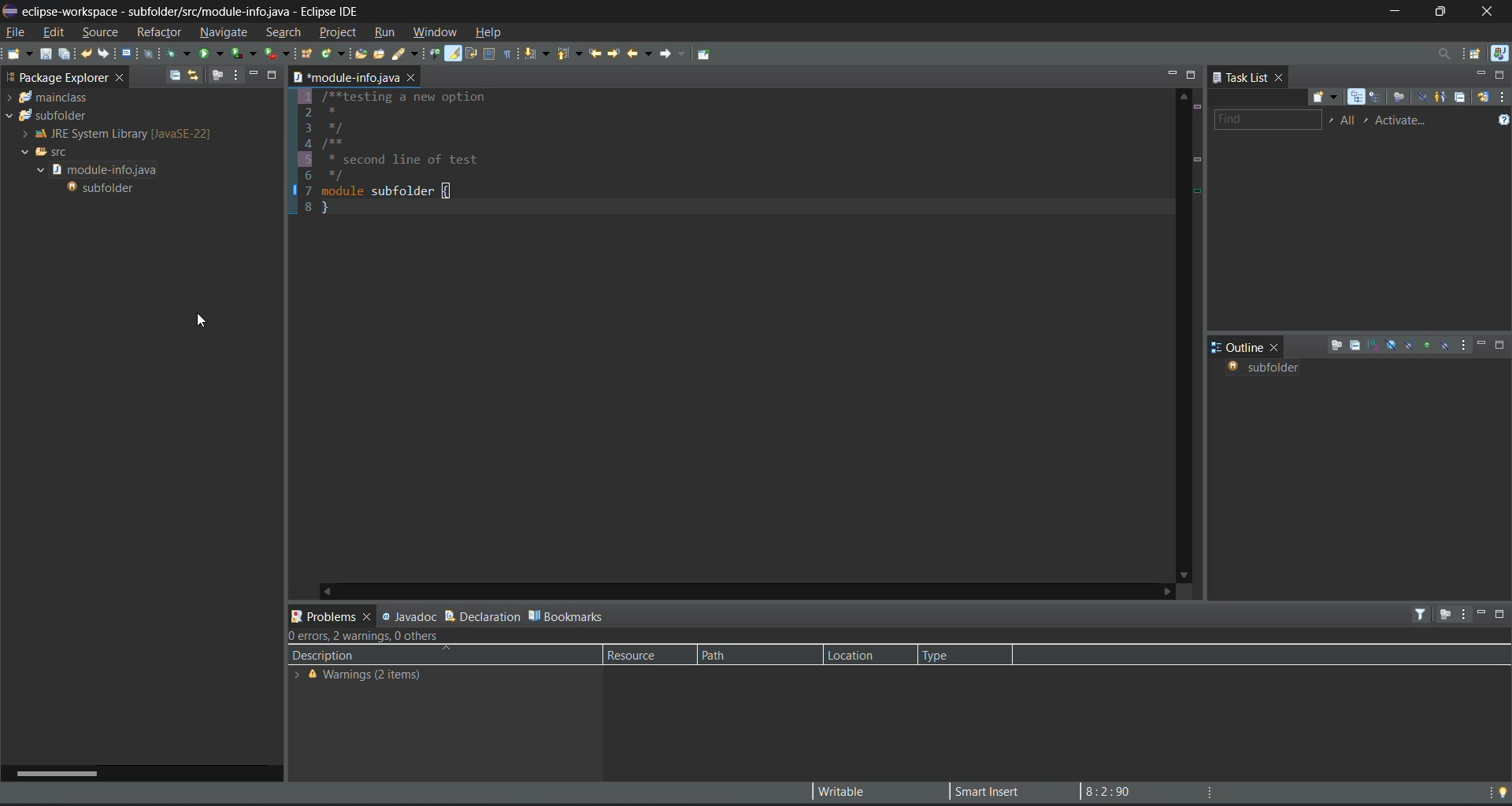 This screenshot has width=1512, height=806. Describe the element at coordinates (1501, 346) in the screenshot. I see `maximize` at that location.